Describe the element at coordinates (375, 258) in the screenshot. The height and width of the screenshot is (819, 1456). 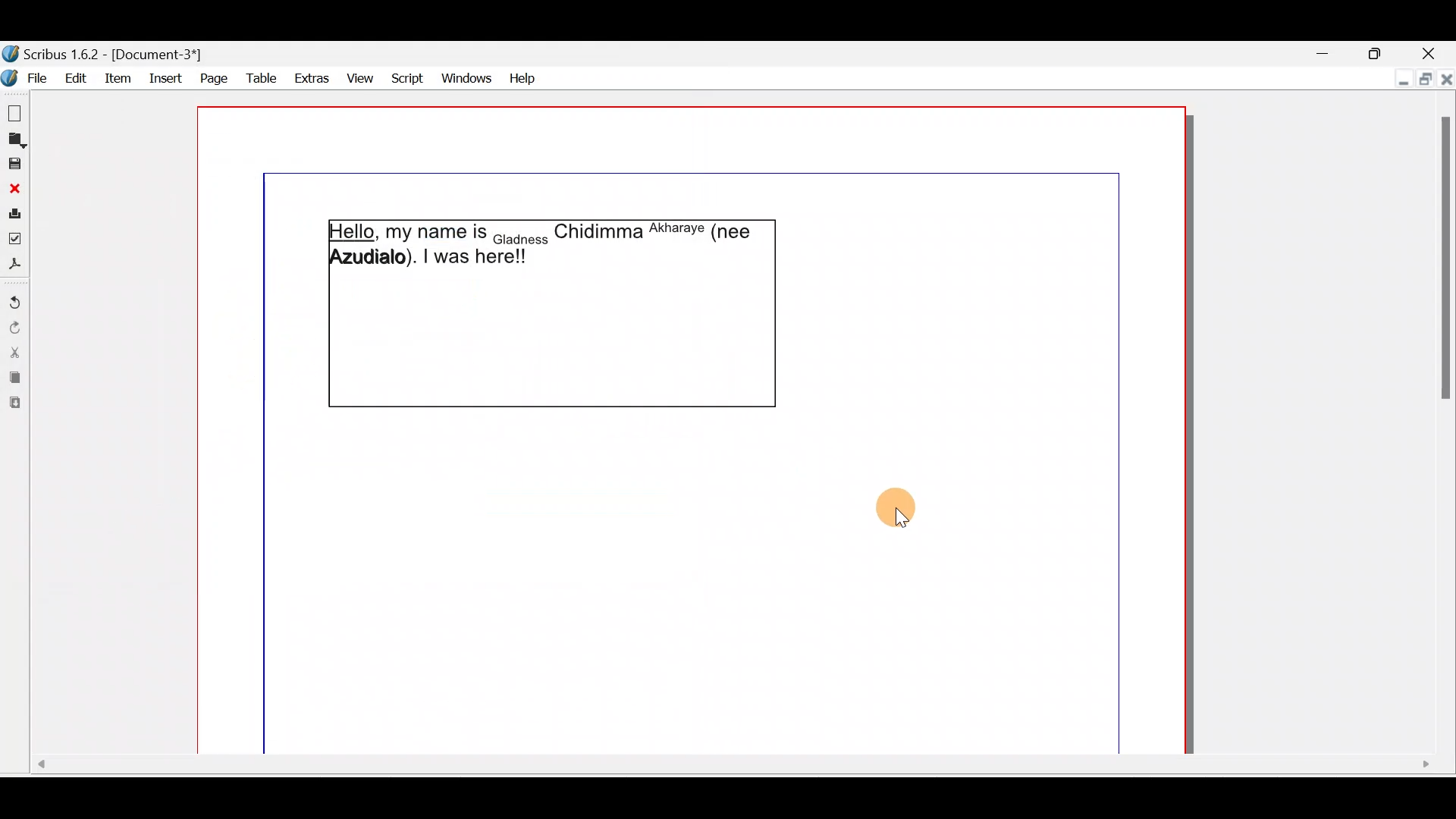
I see `Azudialo).` at that location.